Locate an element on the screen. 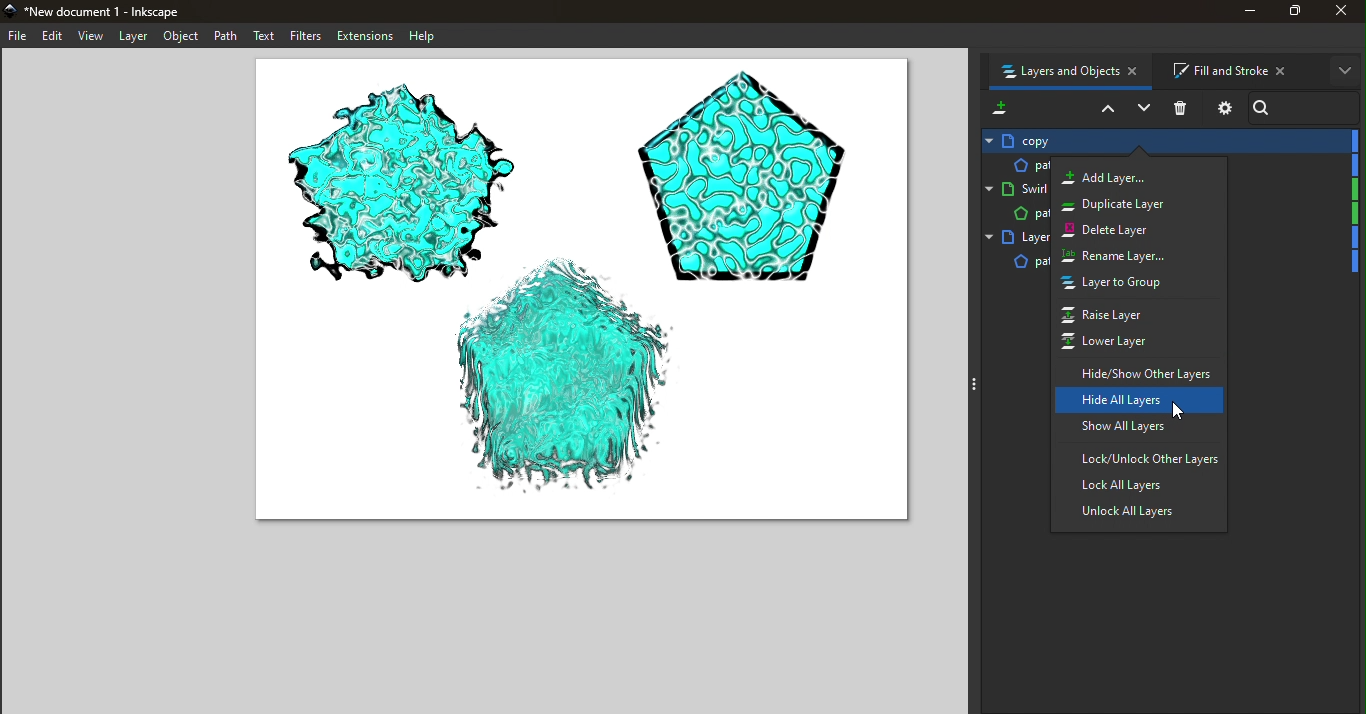 The height and width of the screenshot is (714, 1366). View is located at coordinates (91, 37).